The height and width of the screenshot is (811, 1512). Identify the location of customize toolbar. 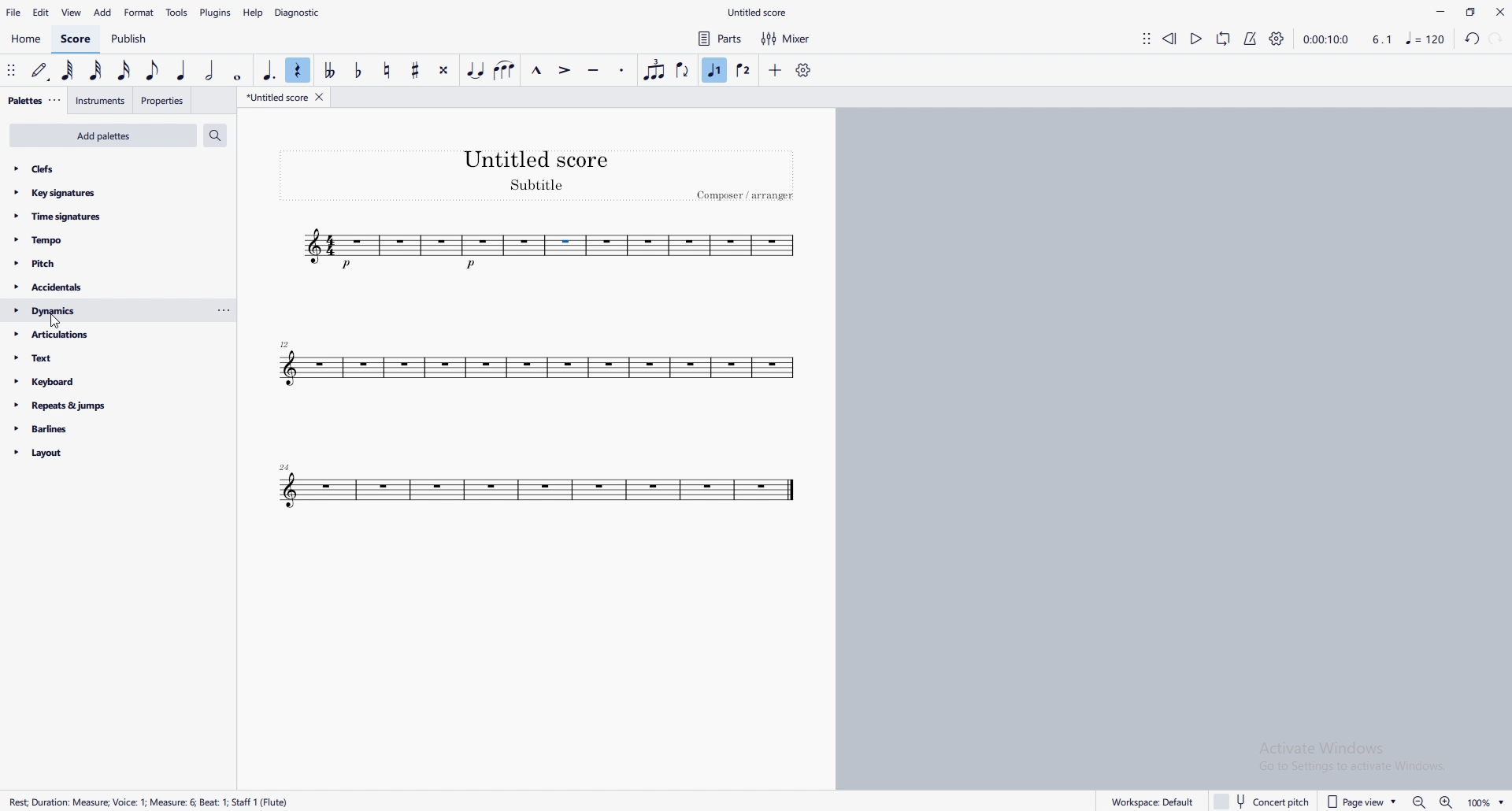
(803, 69).